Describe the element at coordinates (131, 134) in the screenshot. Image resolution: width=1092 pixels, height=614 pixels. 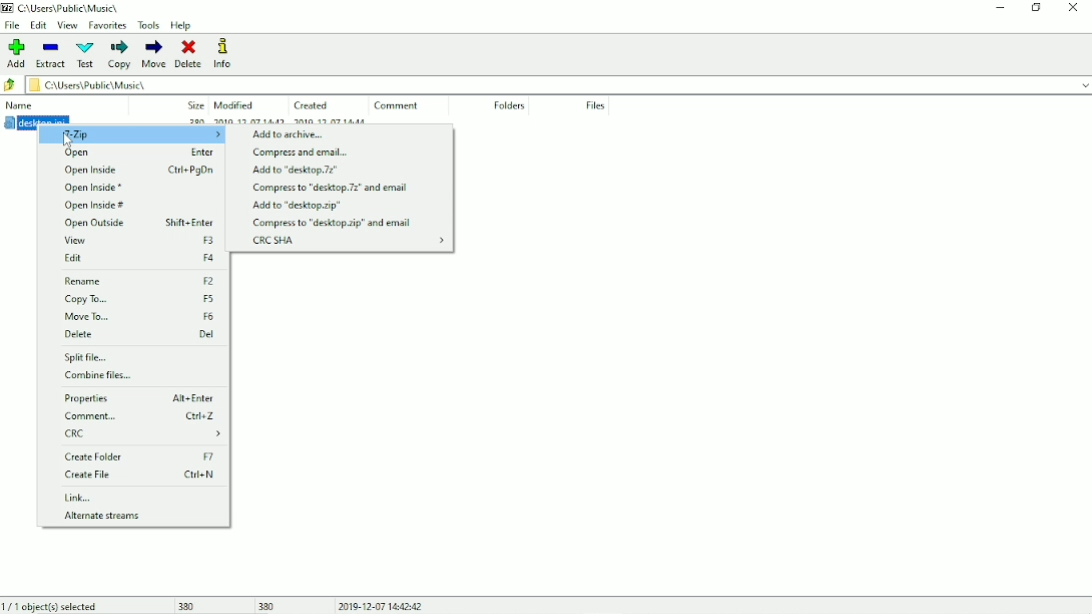
I see `7-Zip` at that location.